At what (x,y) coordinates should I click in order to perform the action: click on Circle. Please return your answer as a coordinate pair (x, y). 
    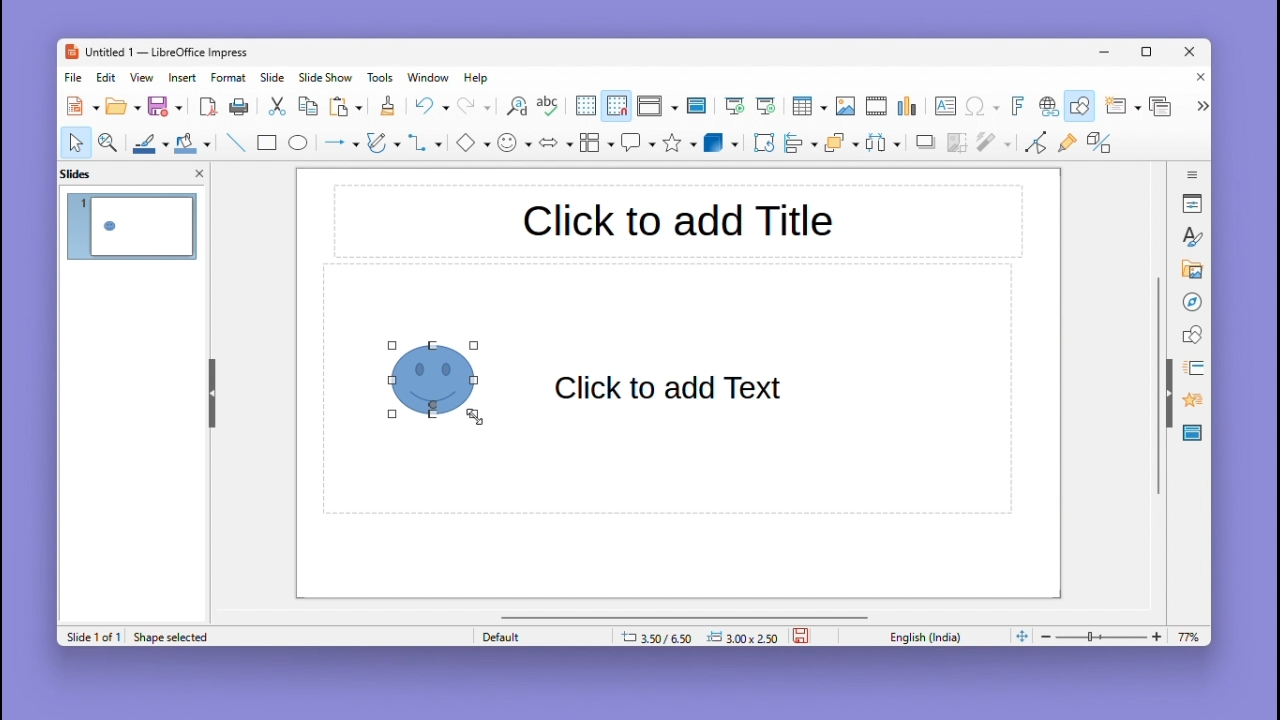
    Looking at the image, I should click on (300, 145).